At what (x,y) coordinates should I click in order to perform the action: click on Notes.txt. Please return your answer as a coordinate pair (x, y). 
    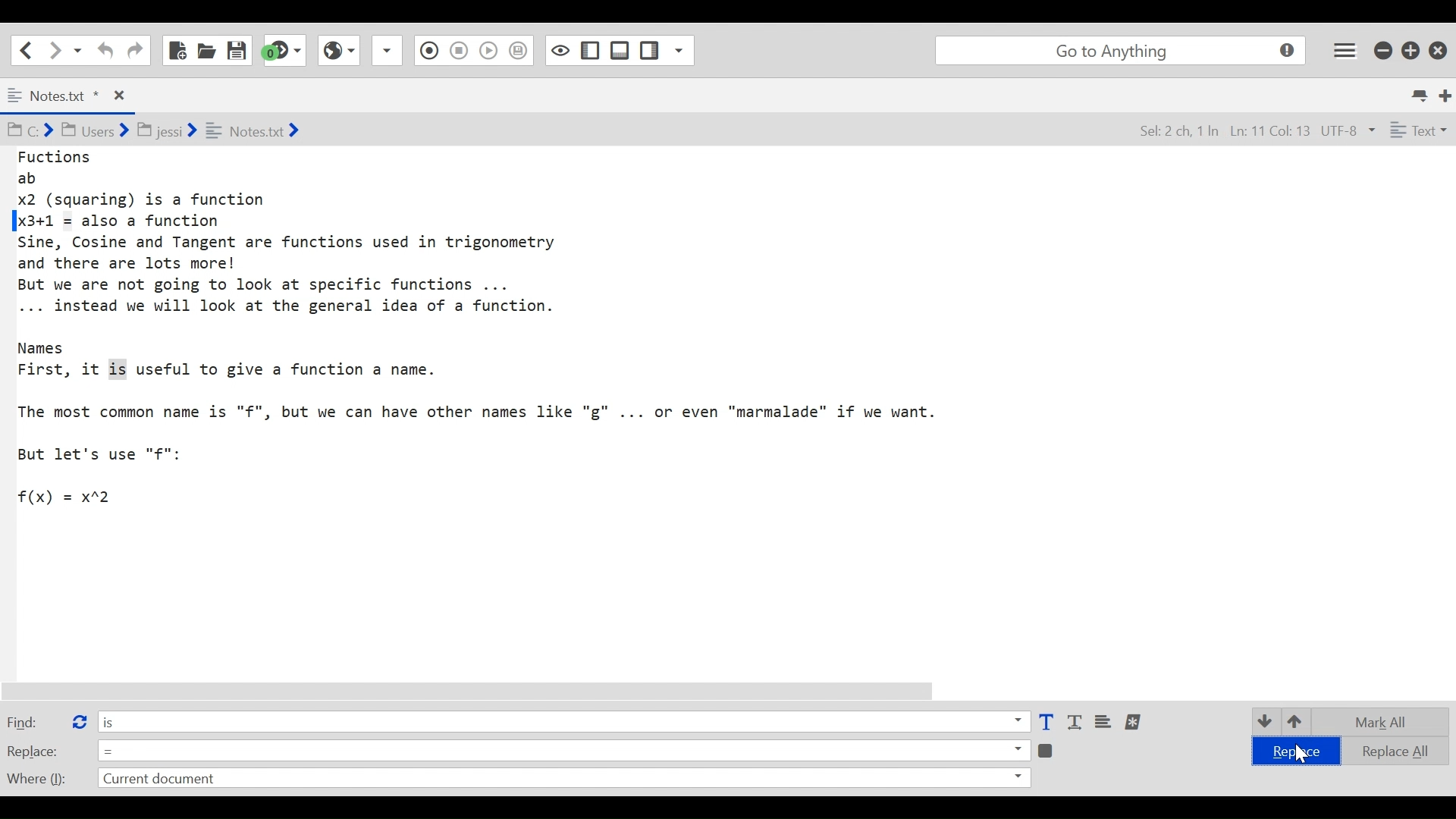
    Looking at the image, I should click on (71, 96).